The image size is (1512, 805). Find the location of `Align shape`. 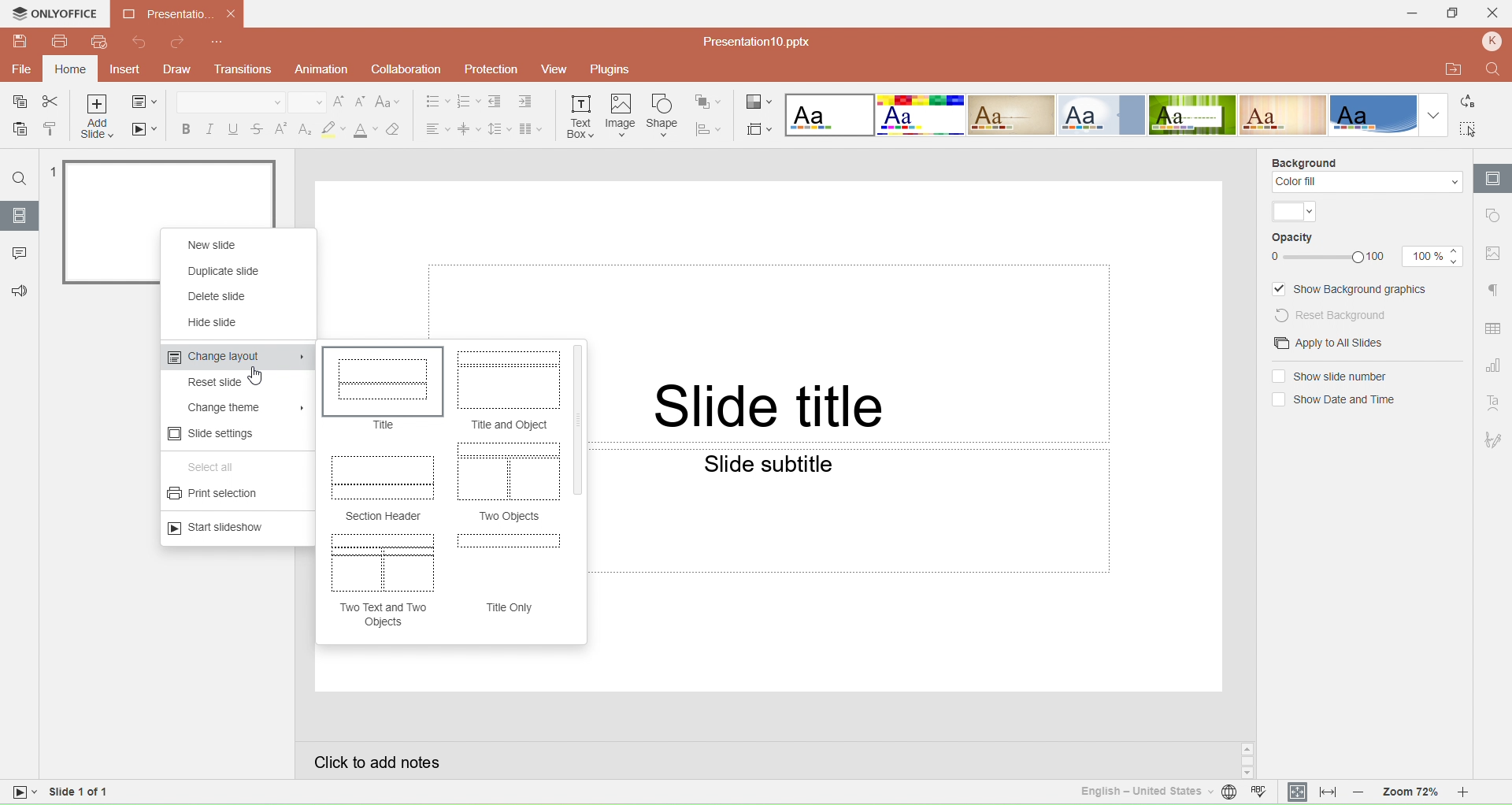

Align shape is located at coordinates (710, 128).